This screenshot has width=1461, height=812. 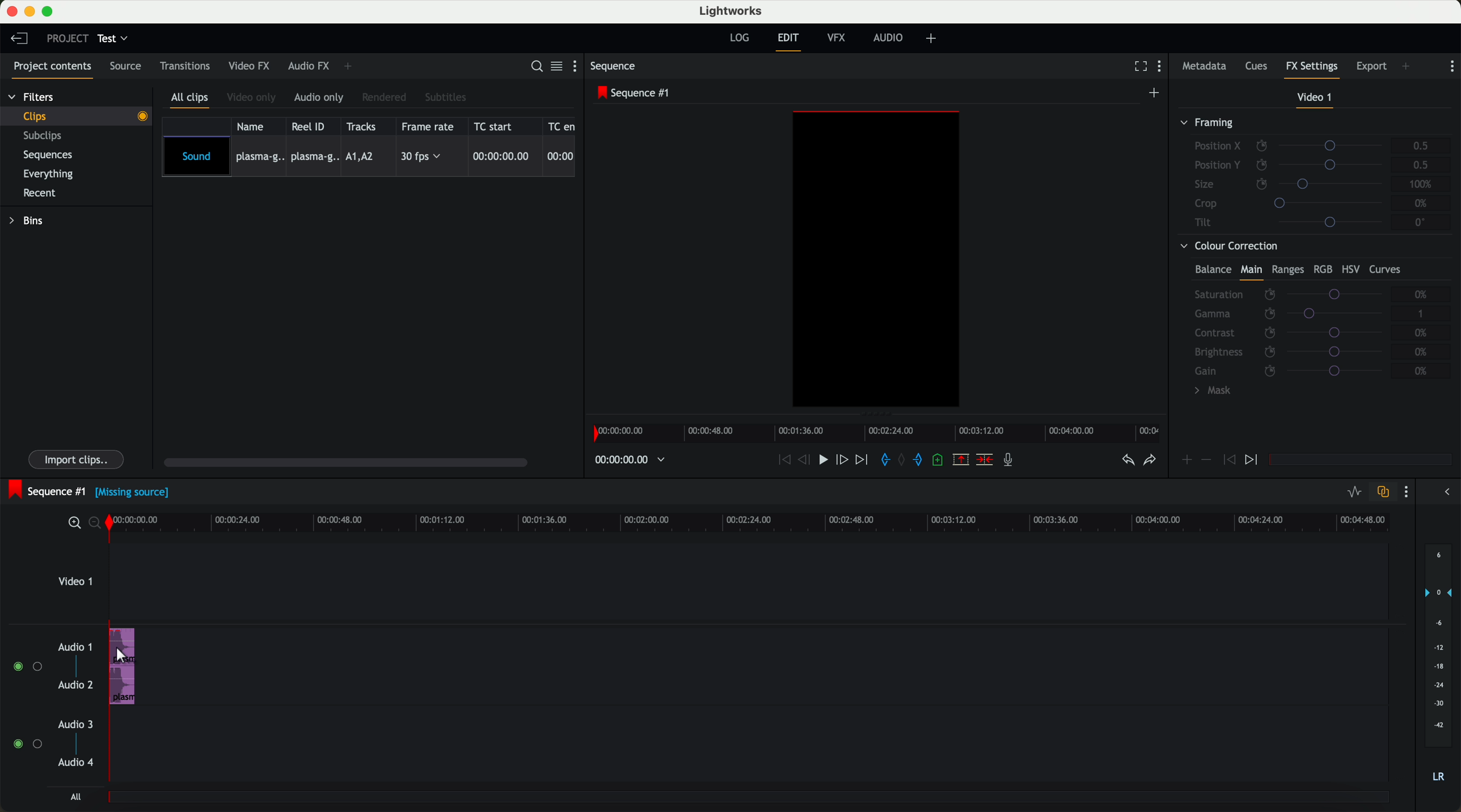 What do you see at coordinates (114, 36) in the screenshot?
I see `test tab` at bounding box center [114, 36].